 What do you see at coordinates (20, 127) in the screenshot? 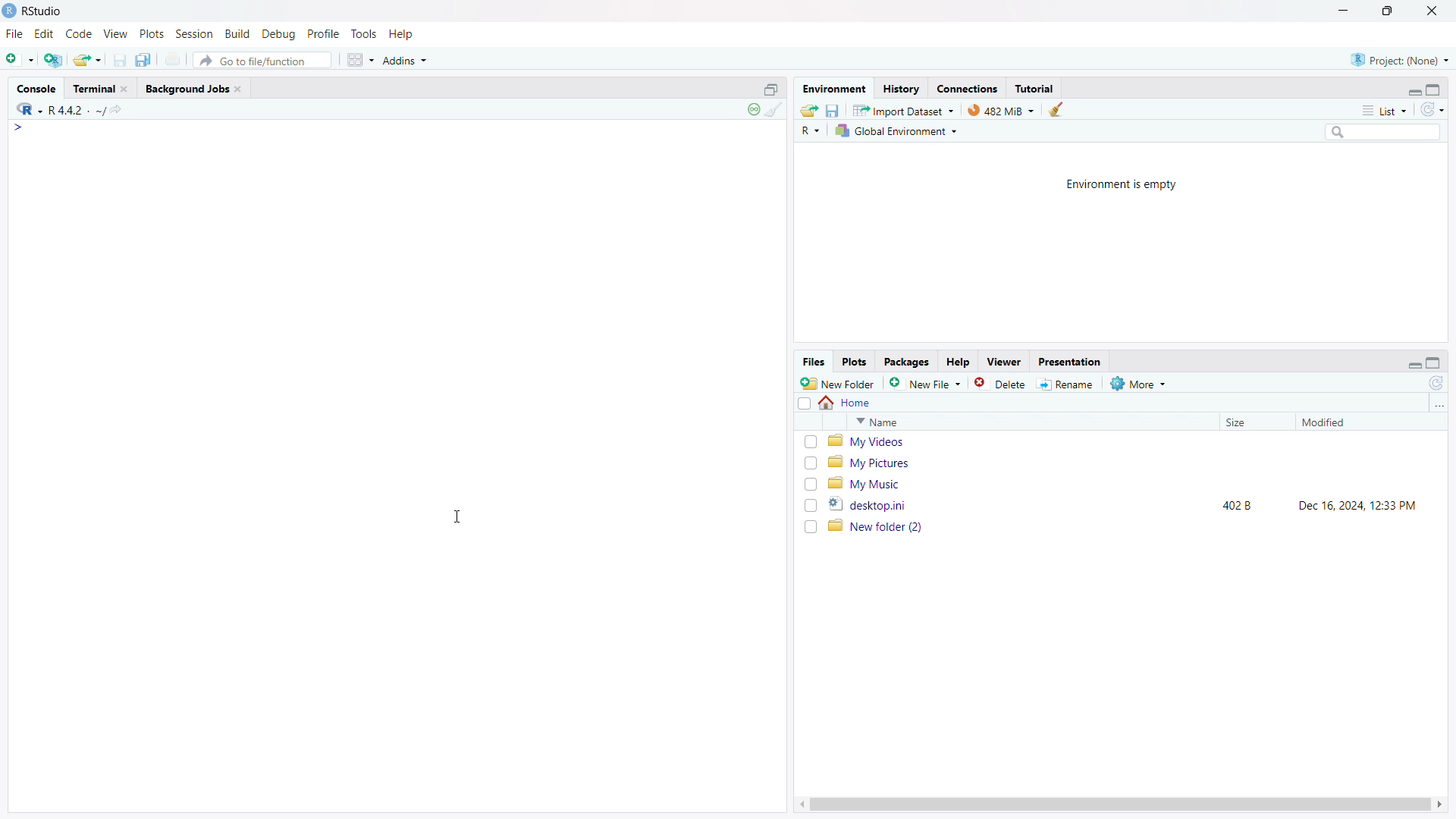
I see `>` at bounding box center [20, 127].